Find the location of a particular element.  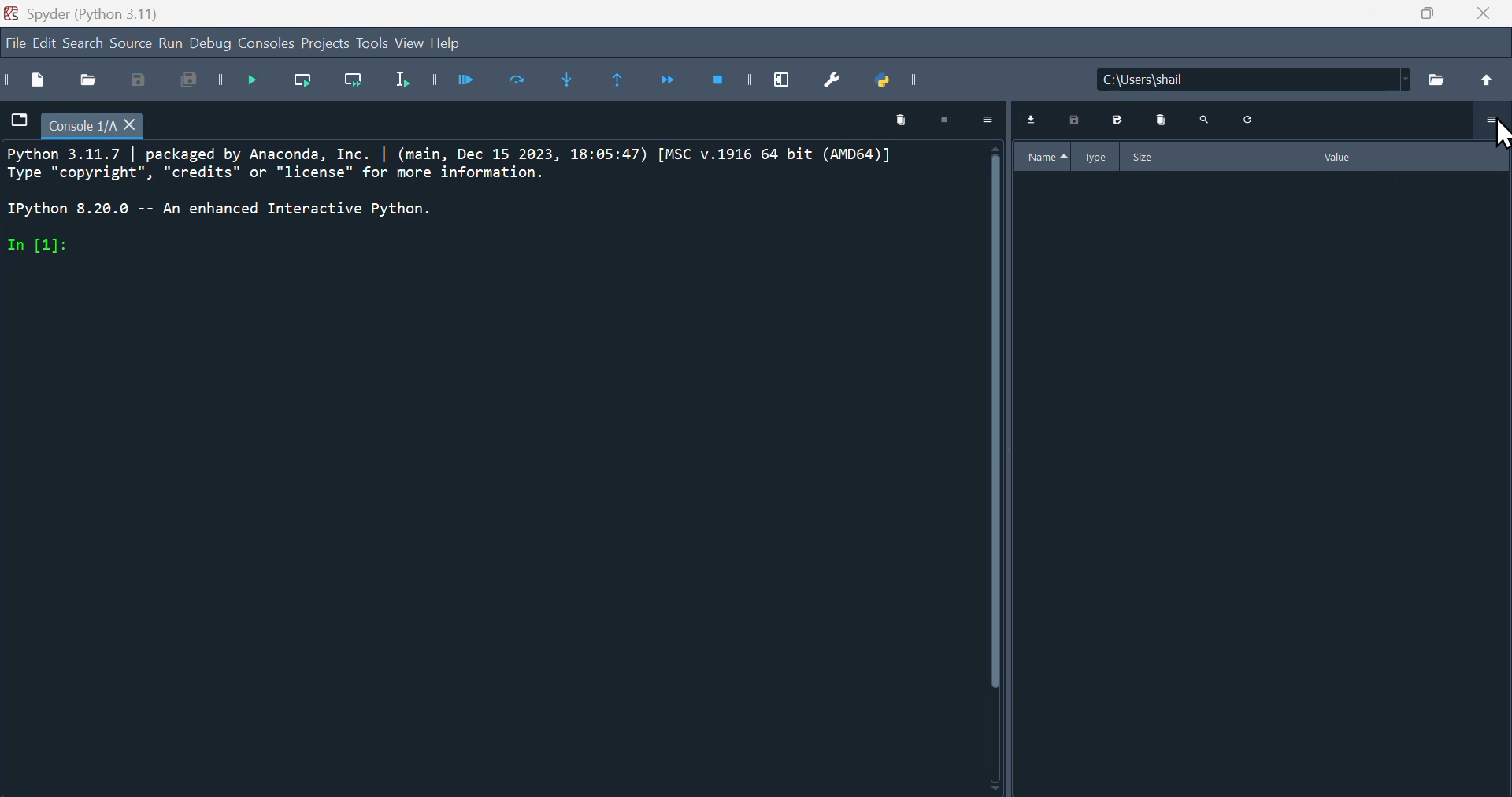

Search is located at coordinates (87, 43).